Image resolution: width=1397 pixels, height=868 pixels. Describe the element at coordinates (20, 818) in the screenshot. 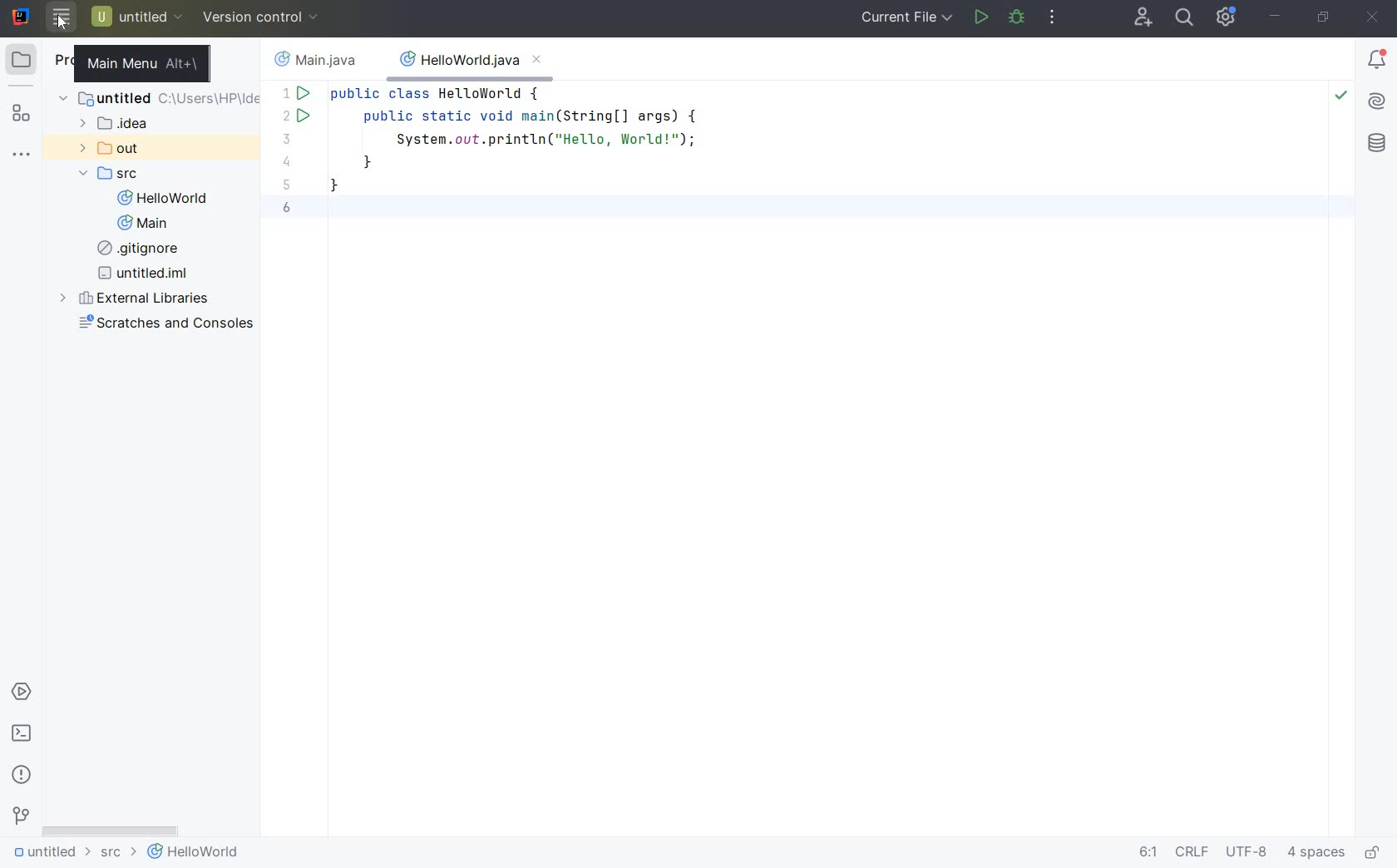

I see `version control` at that location.